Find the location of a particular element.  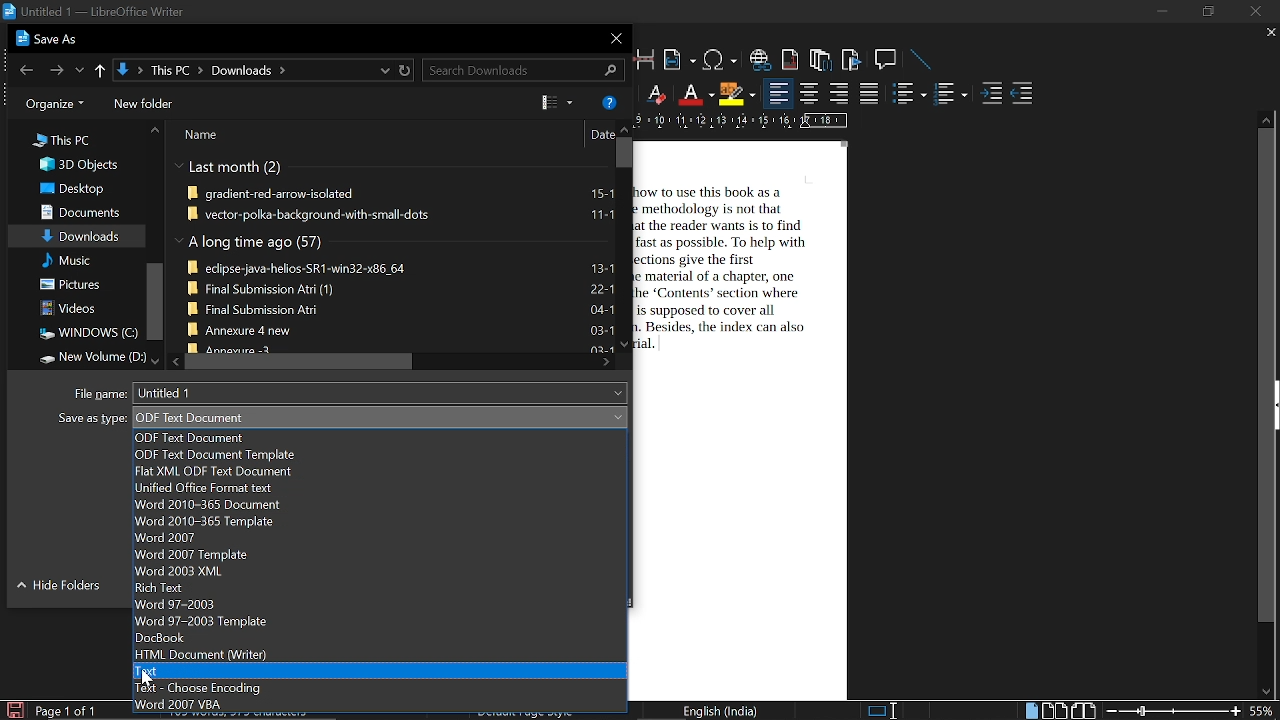

word 97-2003 template is located at coordinates (374, 621).